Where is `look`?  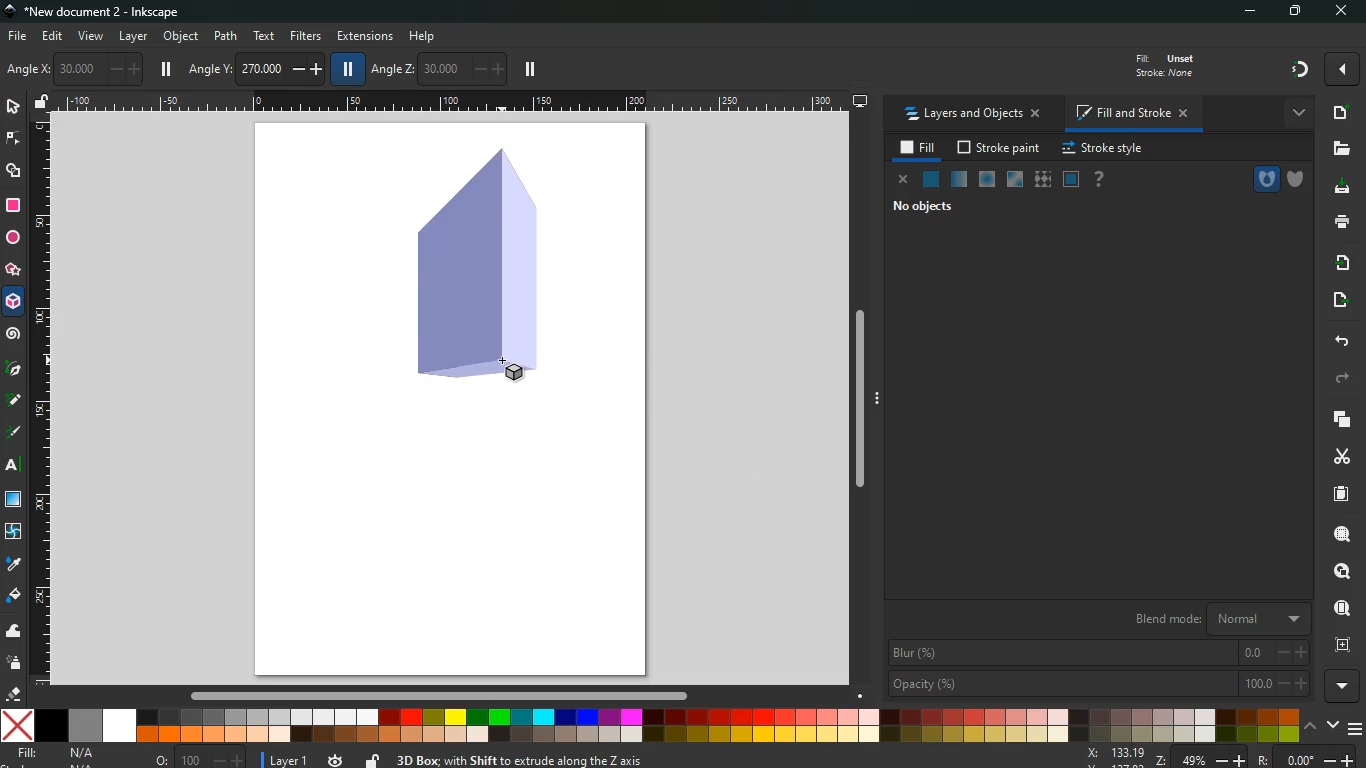 look is located at coordinates (1336, 572).